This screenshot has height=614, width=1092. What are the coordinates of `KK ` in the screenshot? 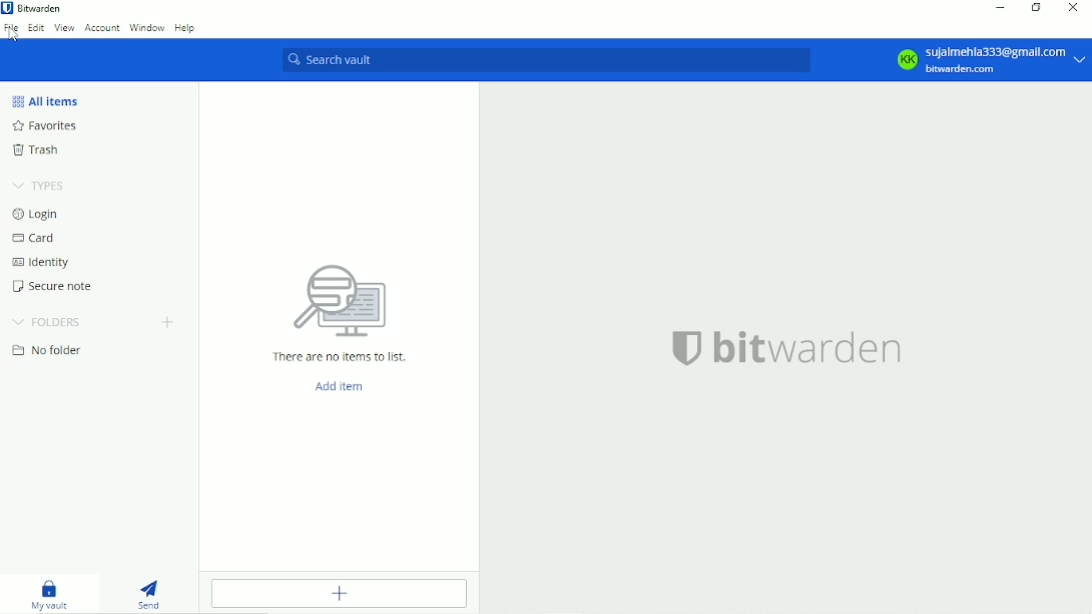 It's located at (907, 59).